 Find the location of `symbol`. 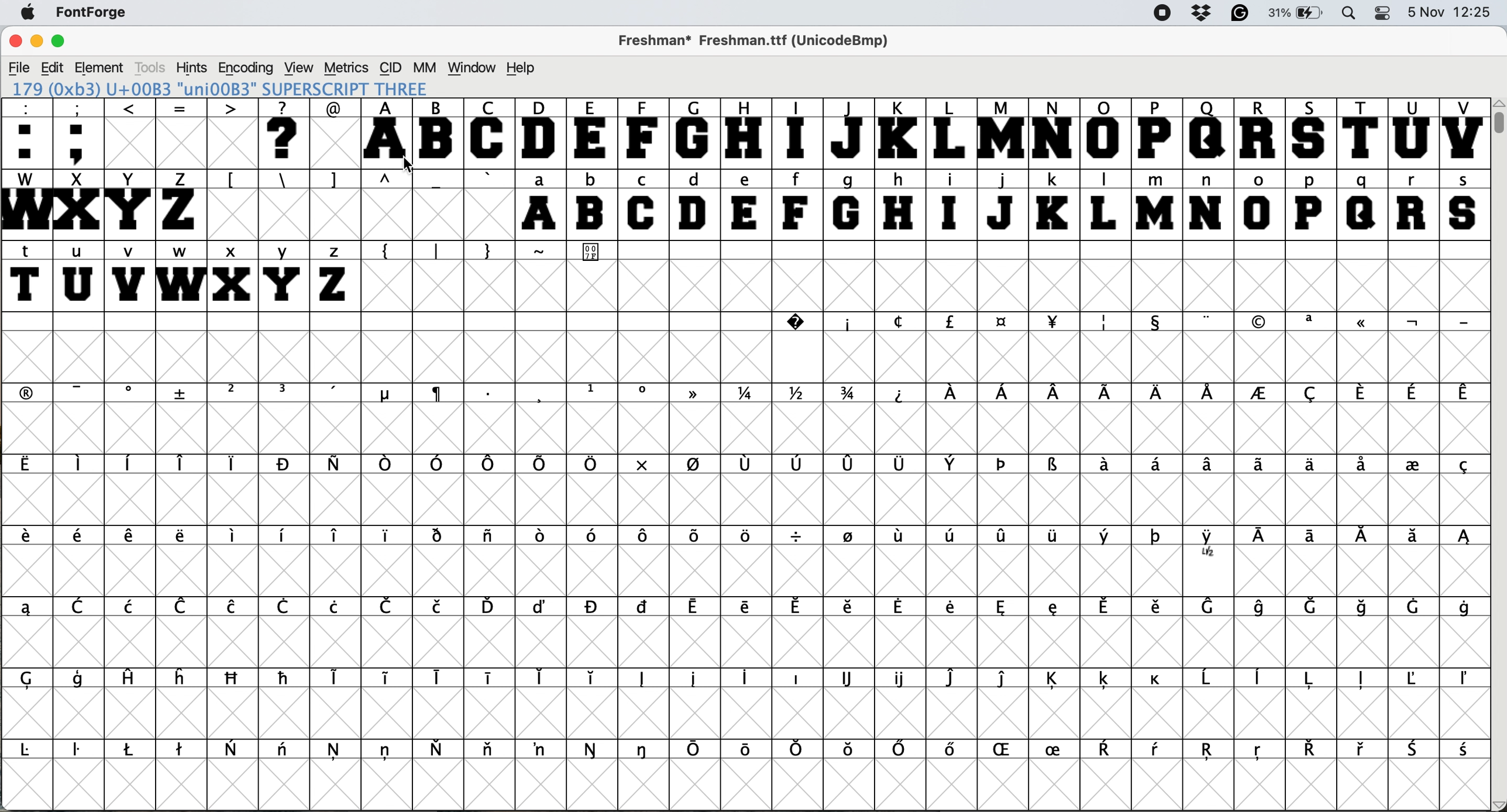

symbol is located at coordinates (1315, 605).